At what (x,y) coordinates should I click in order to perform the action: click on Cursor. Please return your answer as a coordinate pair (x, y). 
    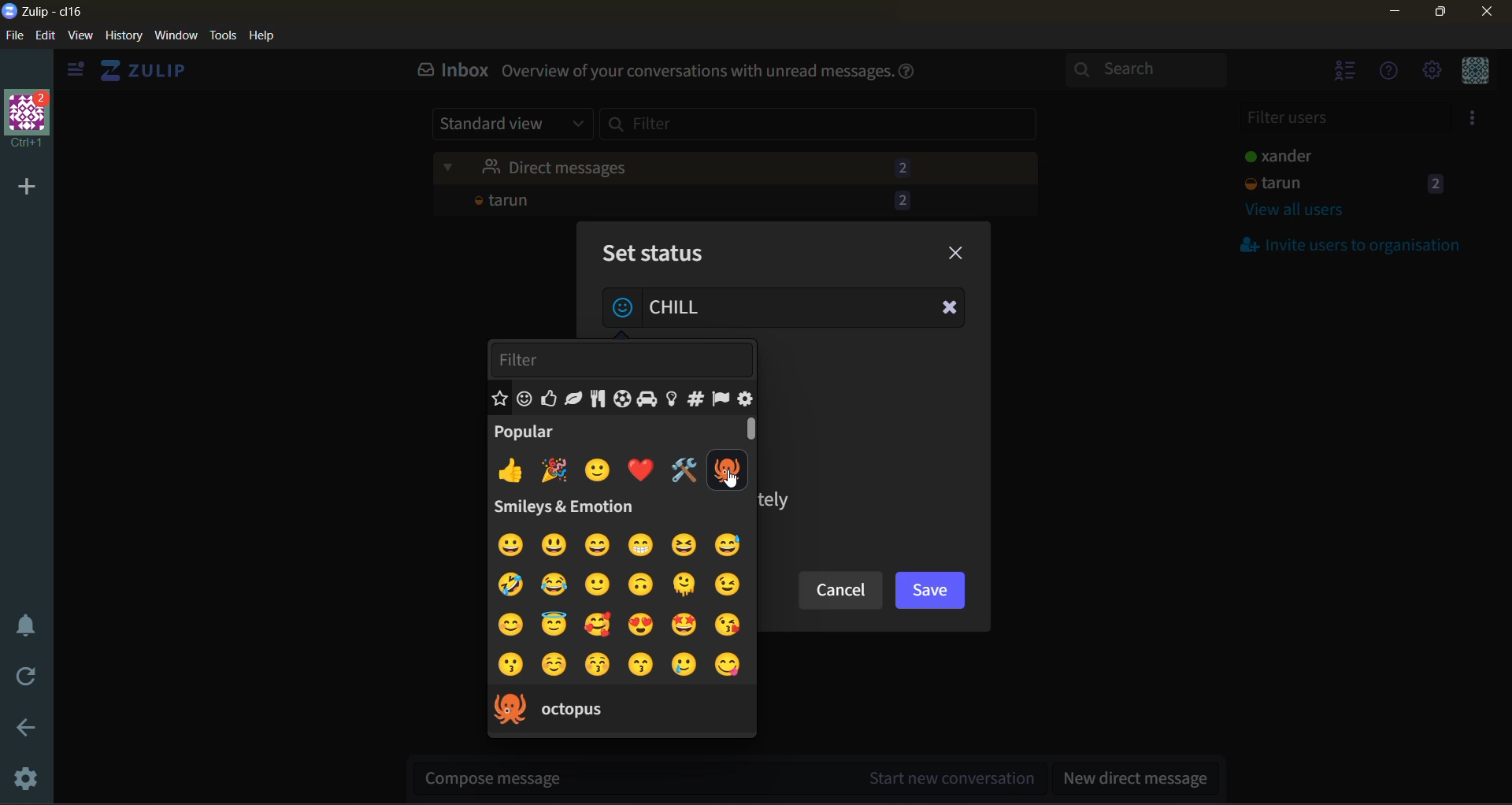
    Looking at the image, I should click on (736, 483).